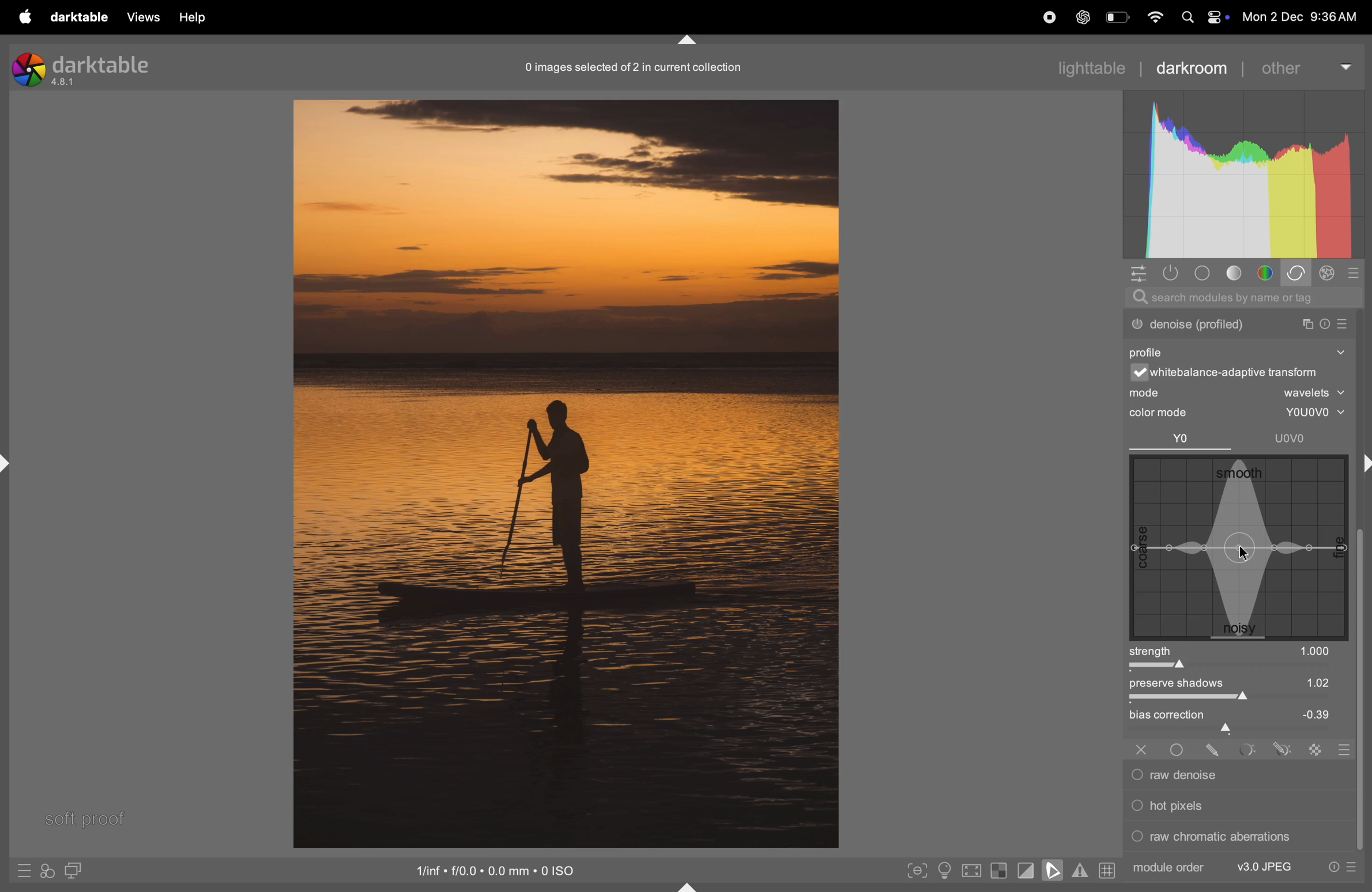  What do you see at coordinates (1362, 691) in the screenshot?
I see `task bar` at bounding box center [1362, 691].